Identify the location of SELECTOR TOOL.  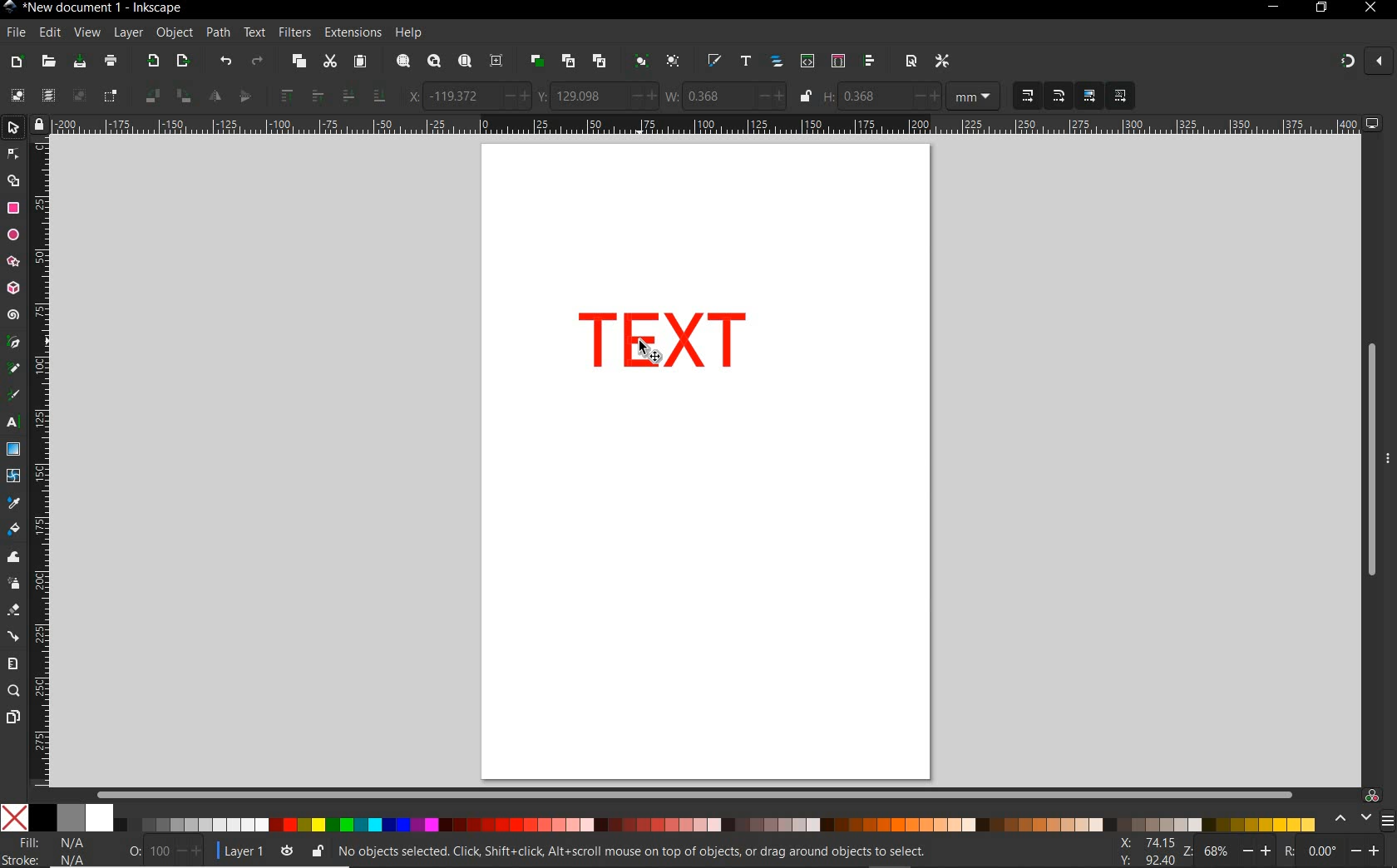
(654, 350).